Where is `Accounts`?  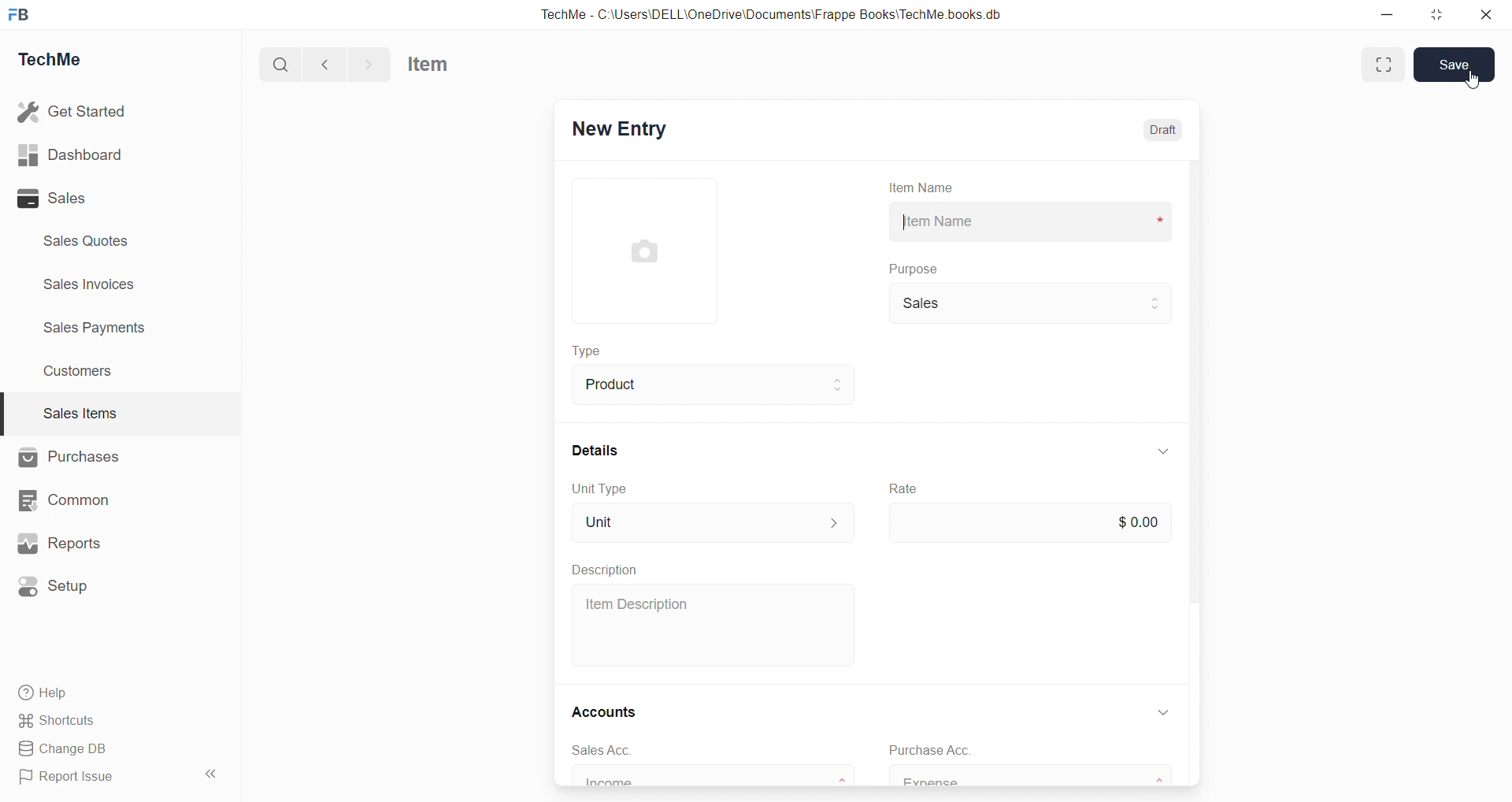 Accounts is located at coordinates (603, 711).